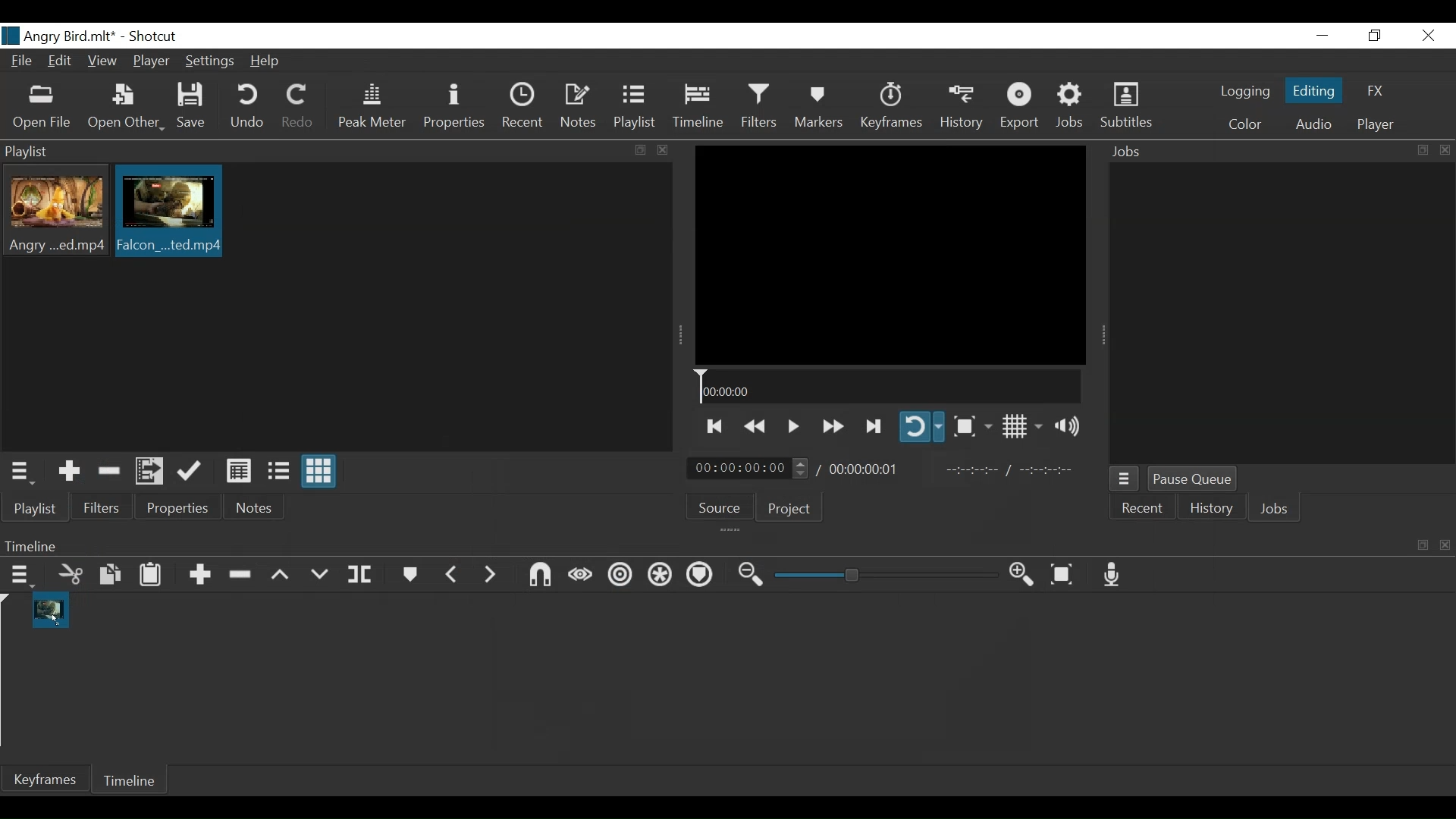 The image size is (1456, 819). Describe the element at coordinates (579, 104) in the screenshot. I see `Notes` at that location.